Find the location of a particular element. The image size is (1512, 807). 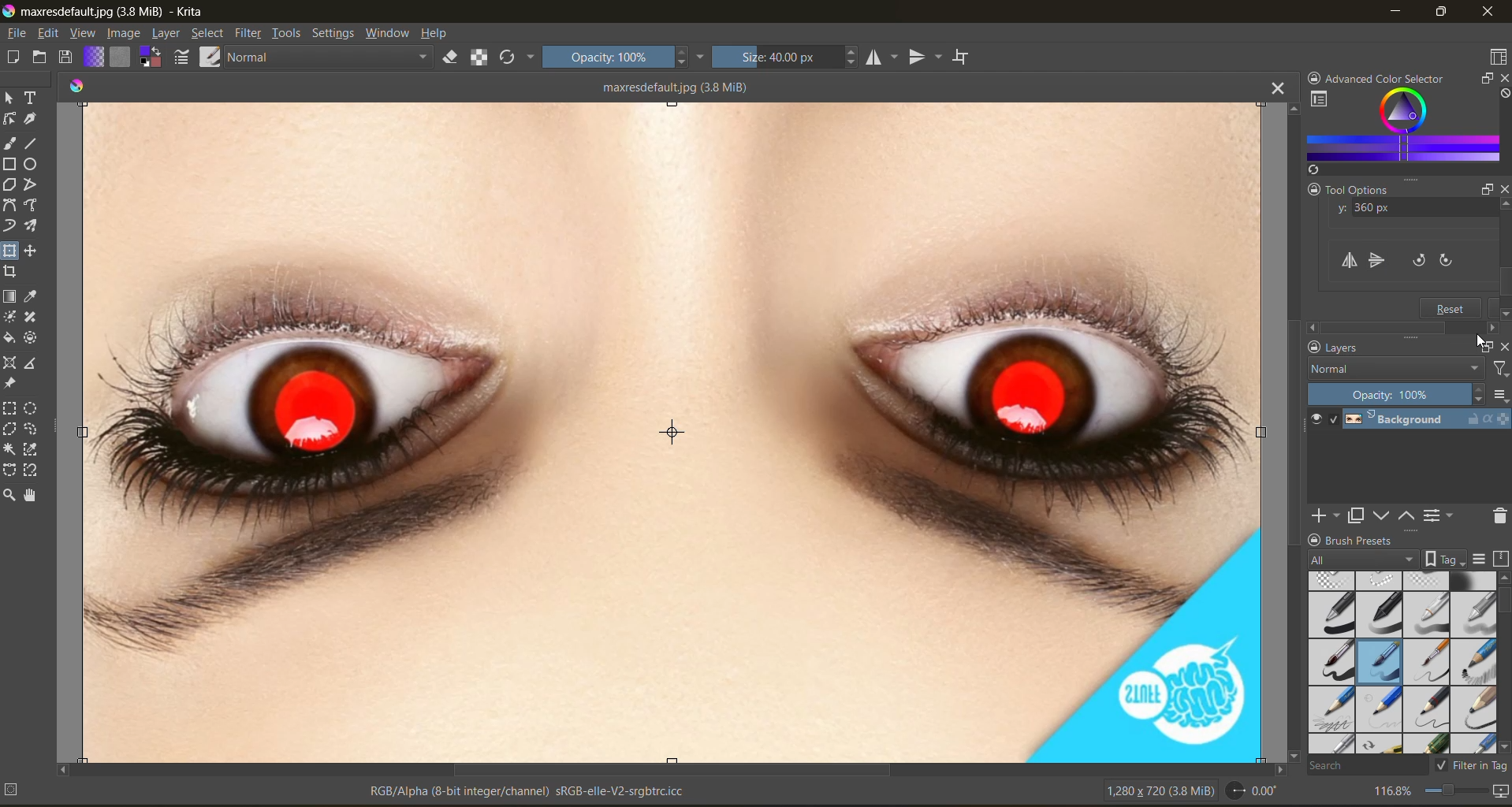

save is located at coordinates (70, 56).